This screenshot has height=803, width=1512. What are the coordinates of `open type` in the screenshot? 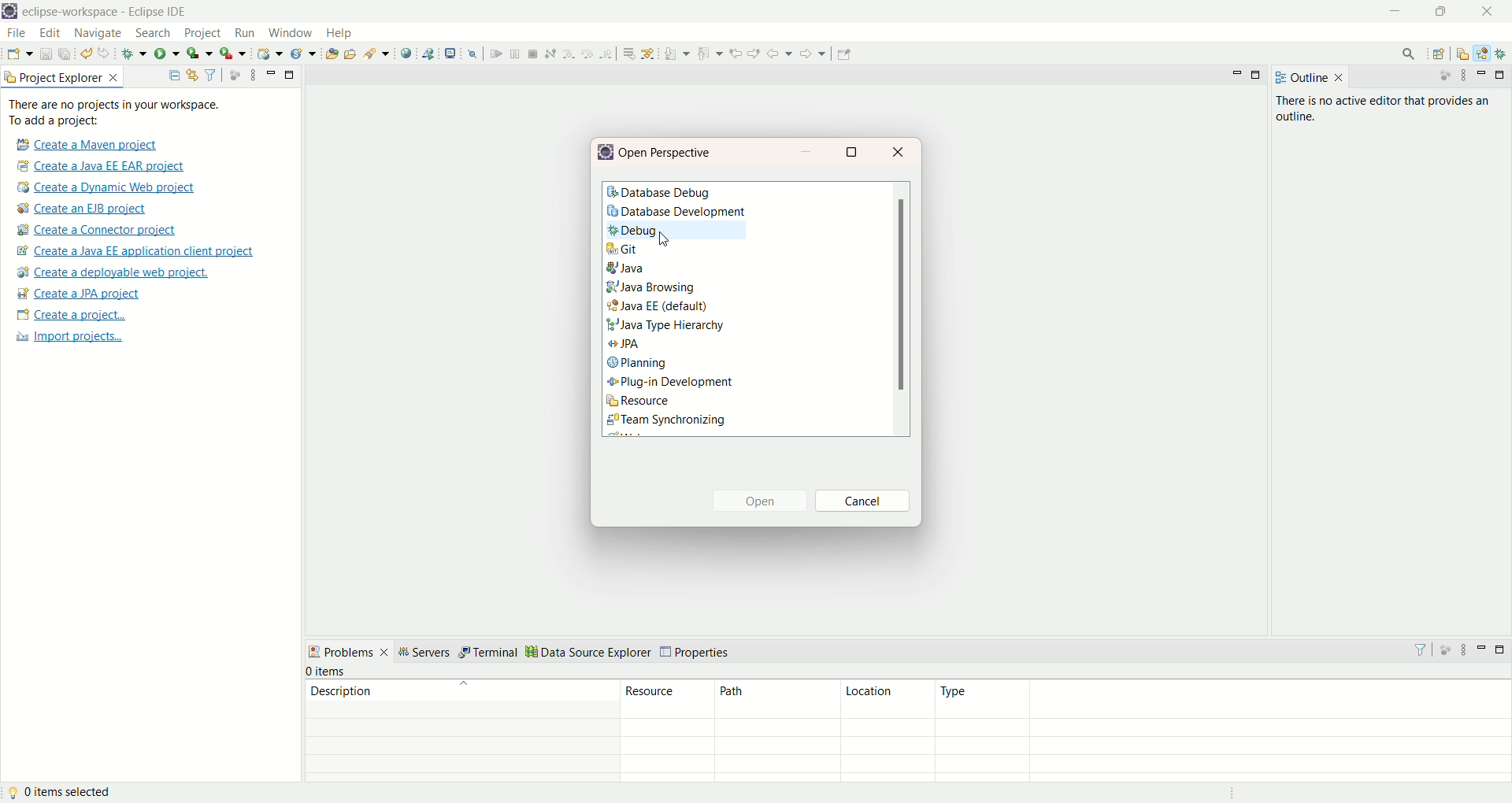 It's located at (331, 55).